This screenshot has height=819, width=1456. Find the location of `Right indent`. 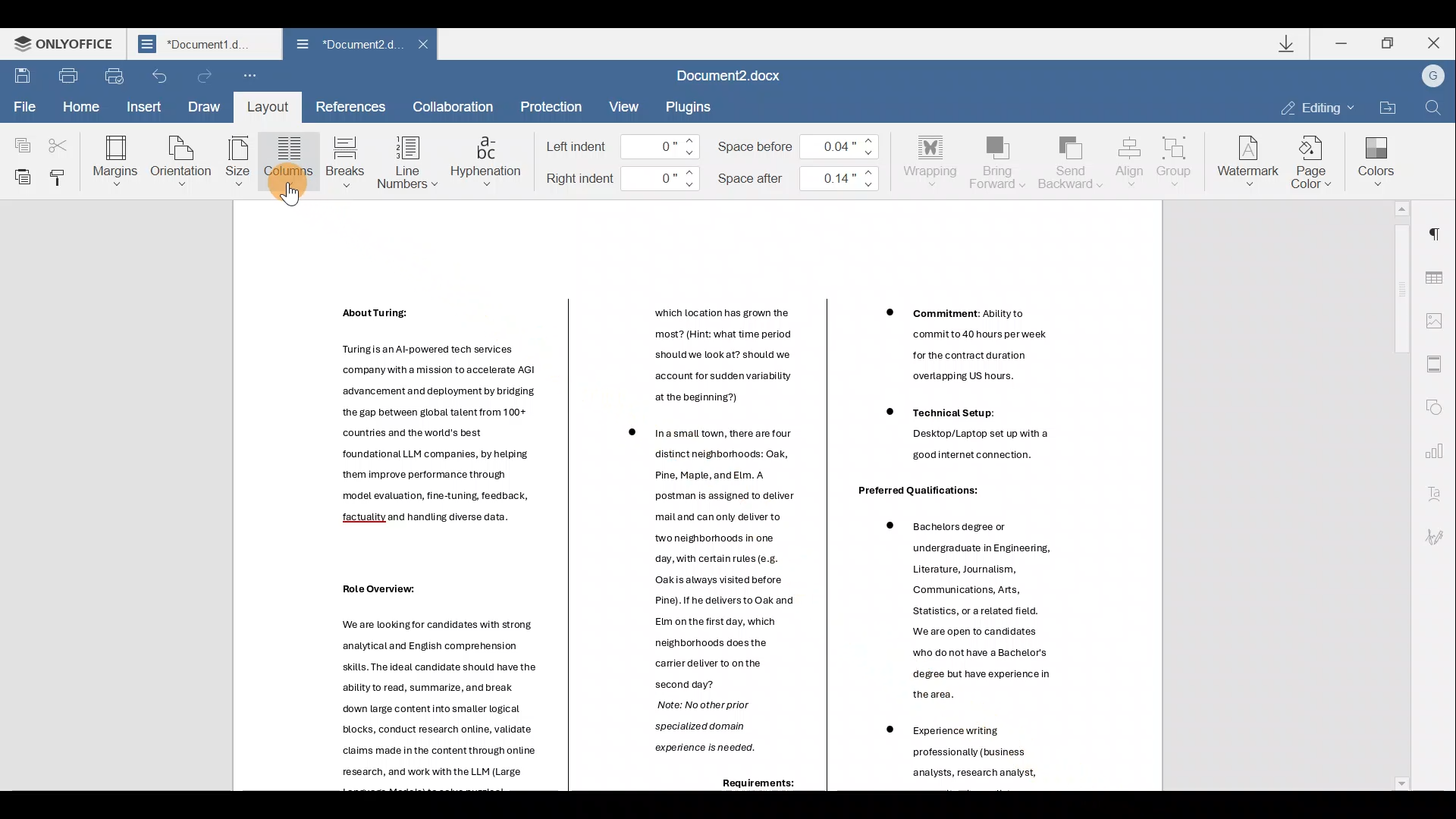

Right indent is located at coordinates (623, 178).